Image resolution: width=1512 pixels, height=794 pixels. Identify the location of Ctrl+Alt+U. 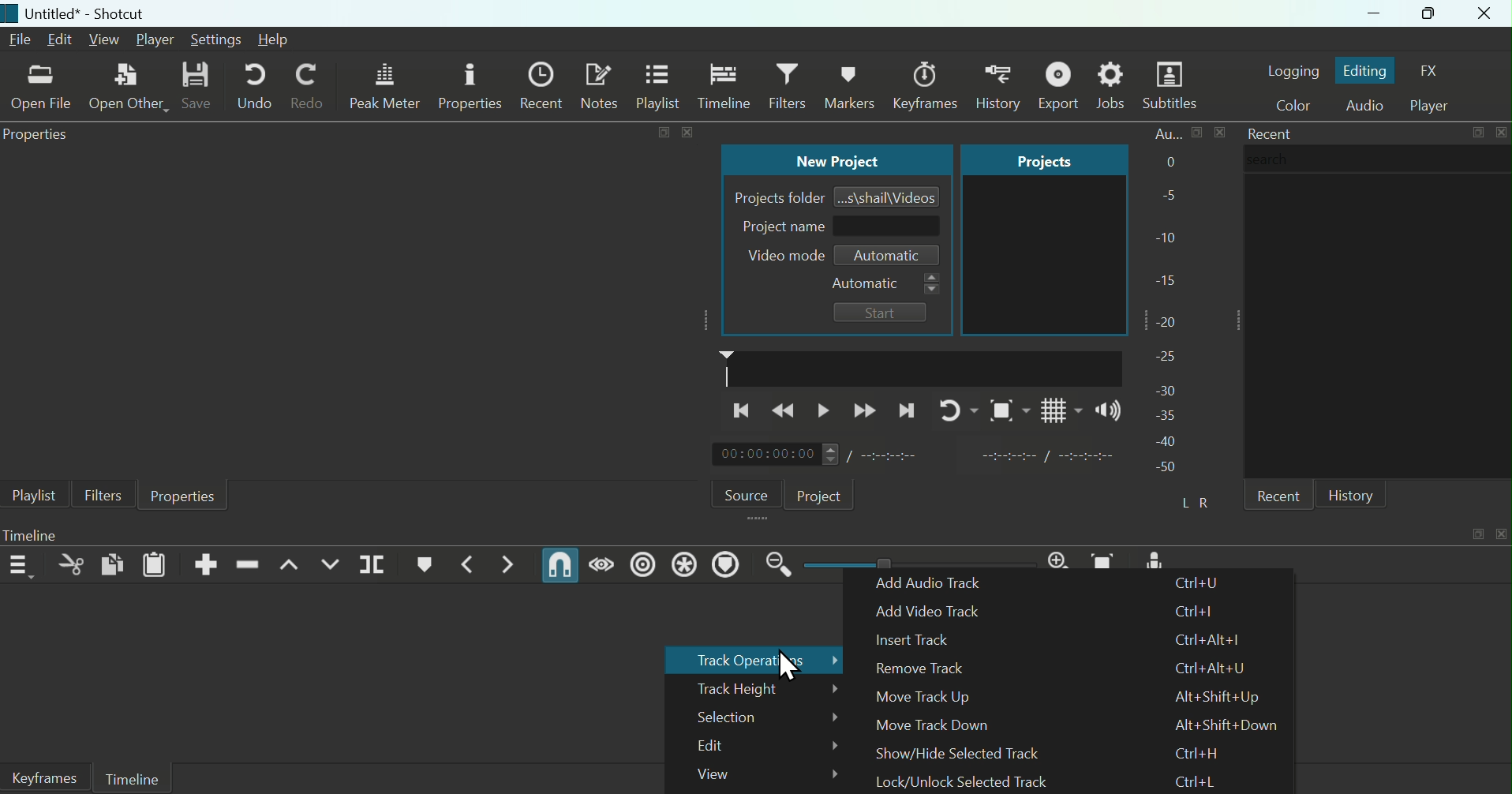
(1211, 668).